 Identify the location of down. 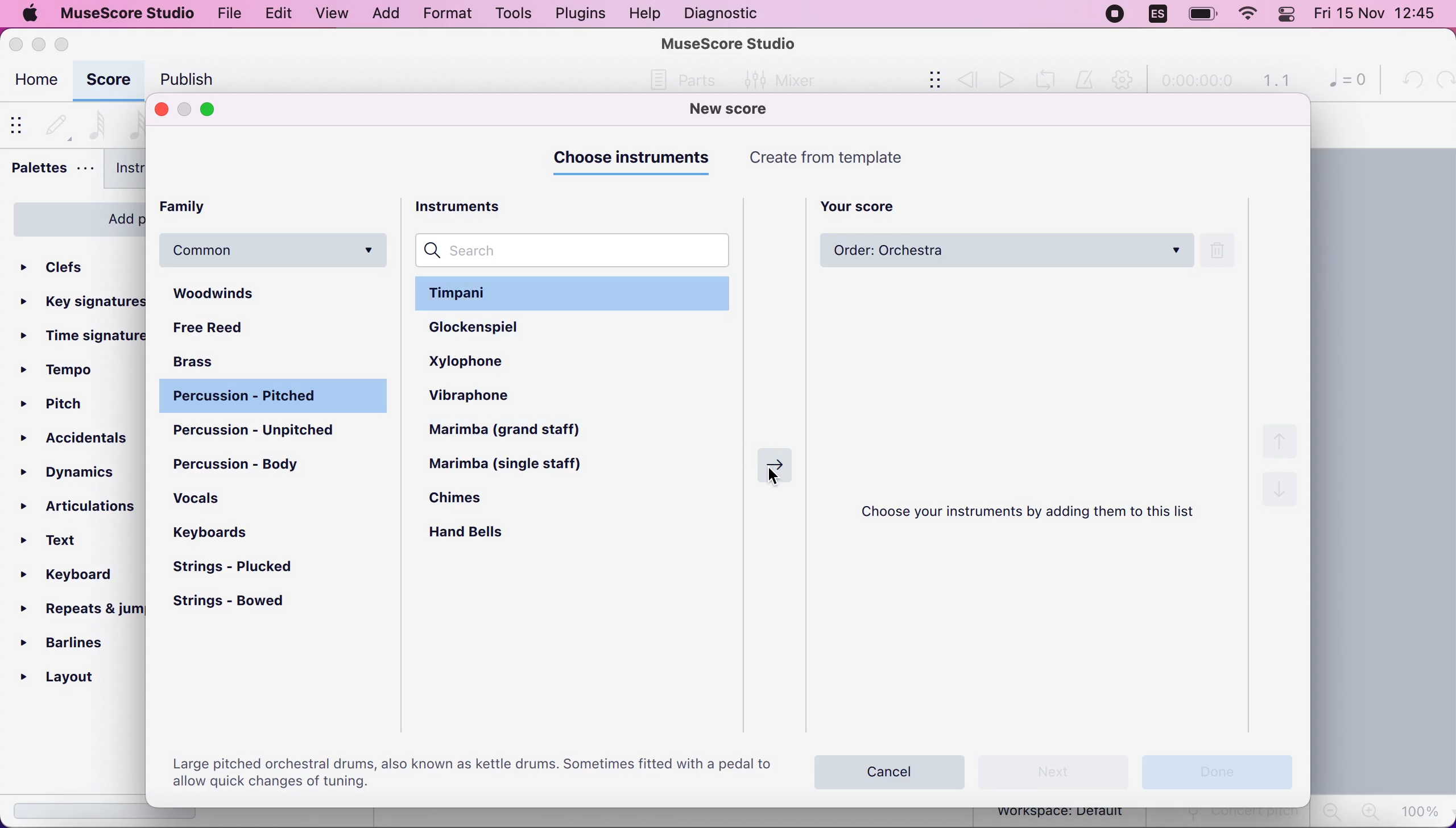
(1280, 494).